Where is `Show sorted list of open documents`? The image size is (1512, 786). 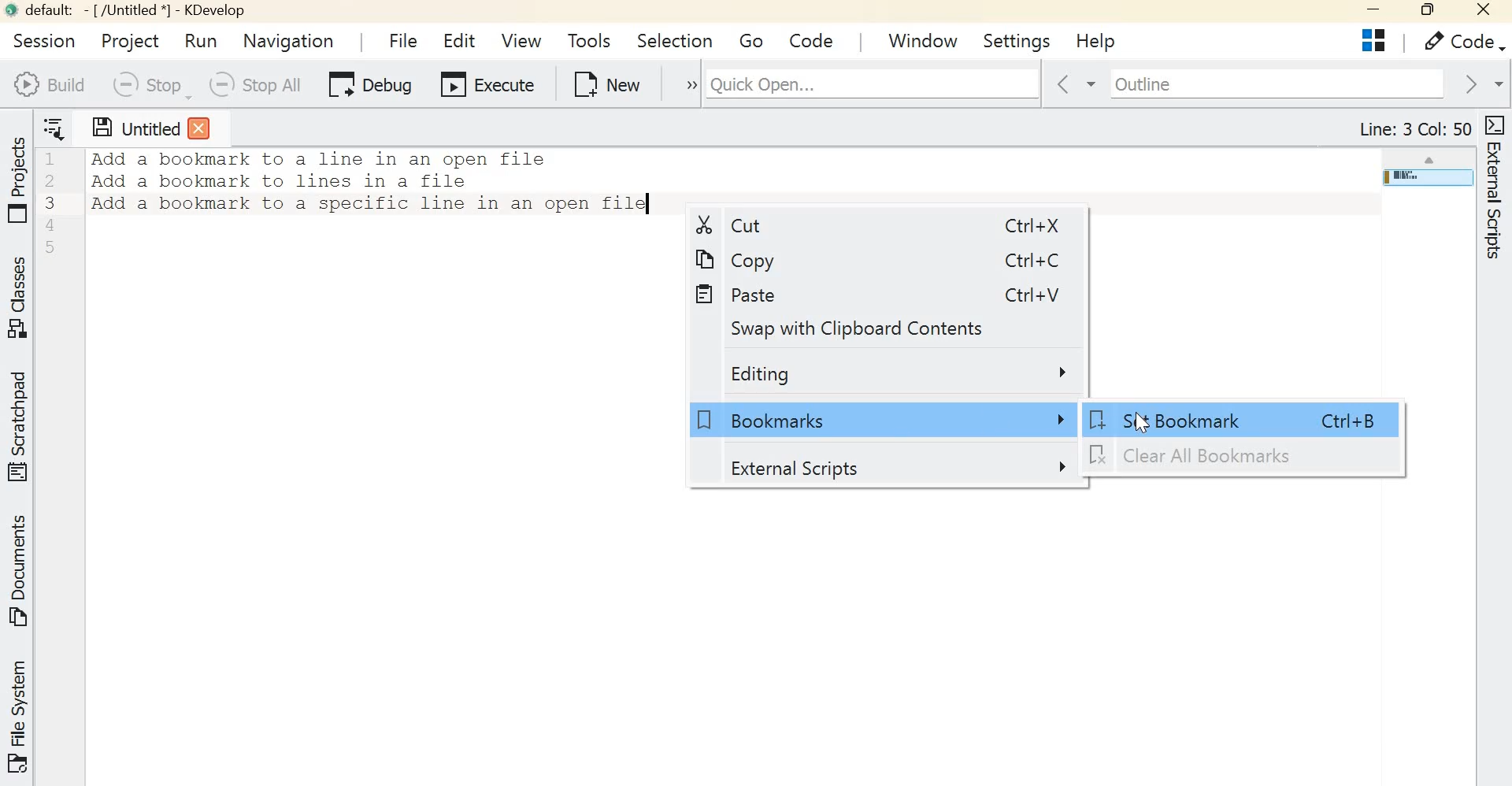 Show sorted list of open documents is located at coordinates (58, 127).